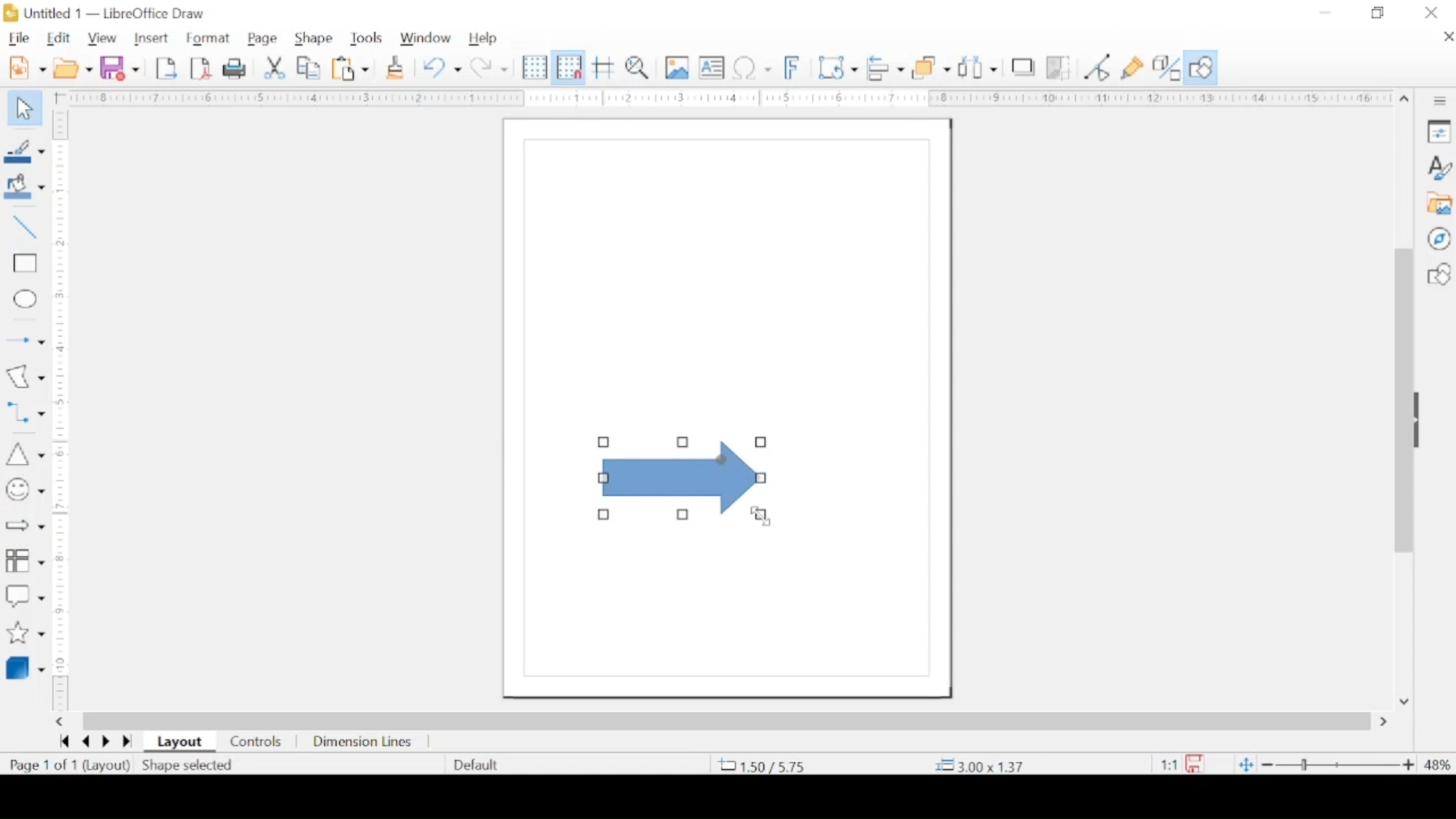 Image resolution: width=1456 pixels, height=819 pixels. Describe the element at coordinates (727, 721) in the screenshot. I see `scroll box` at that location.